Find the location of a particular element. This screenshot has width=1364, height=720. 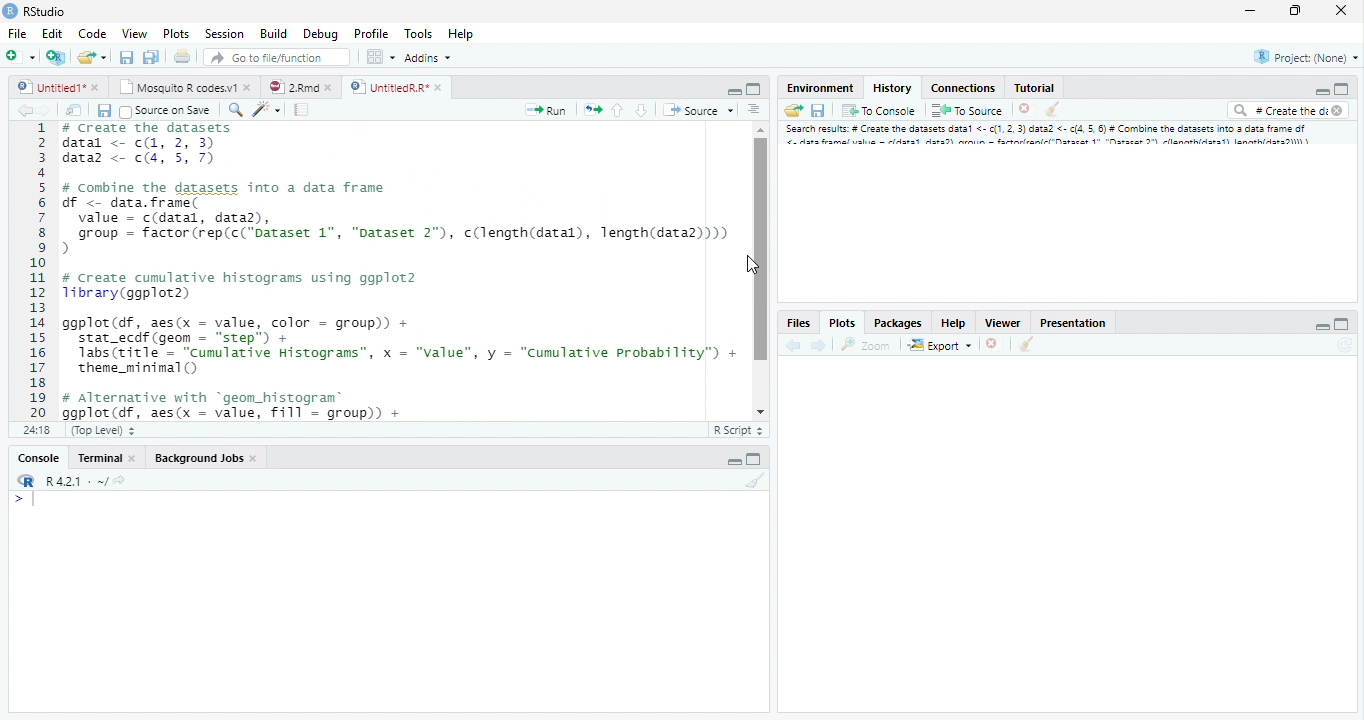

Delete is located at coordinates (1025, 109).